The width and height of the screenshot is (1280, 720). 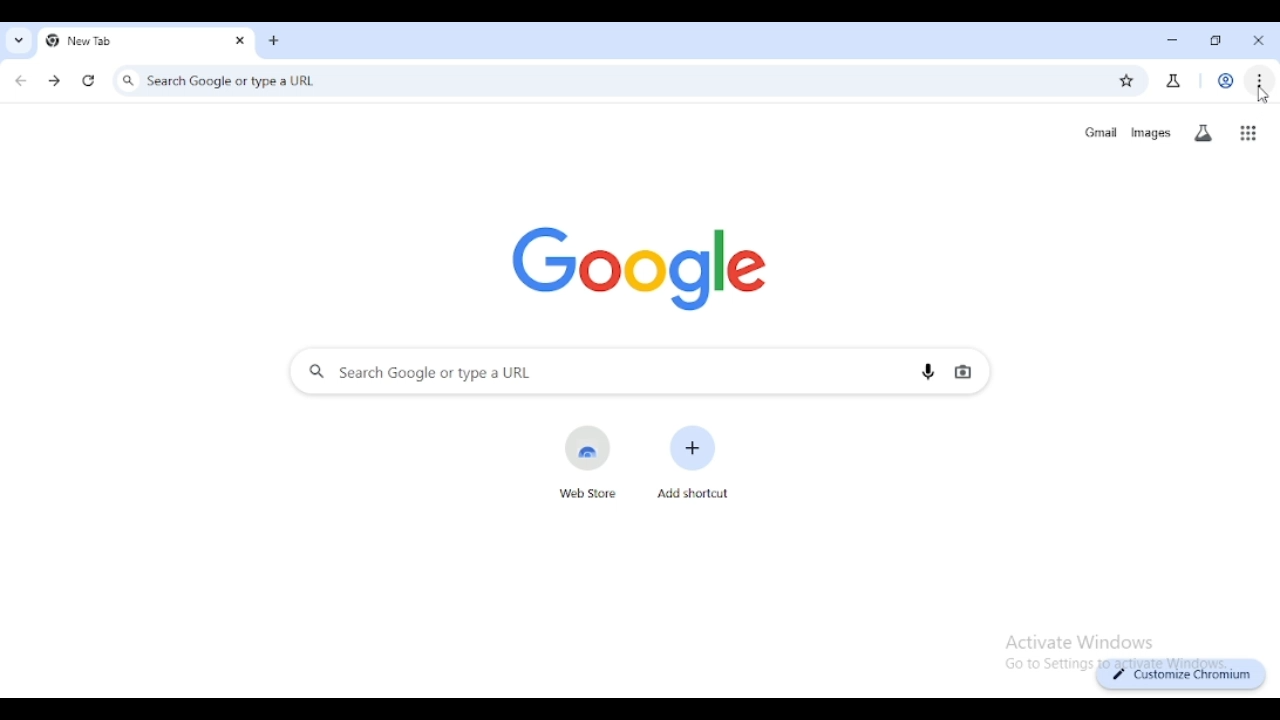 I want to click on gmail, so click(x=1102, y=133).